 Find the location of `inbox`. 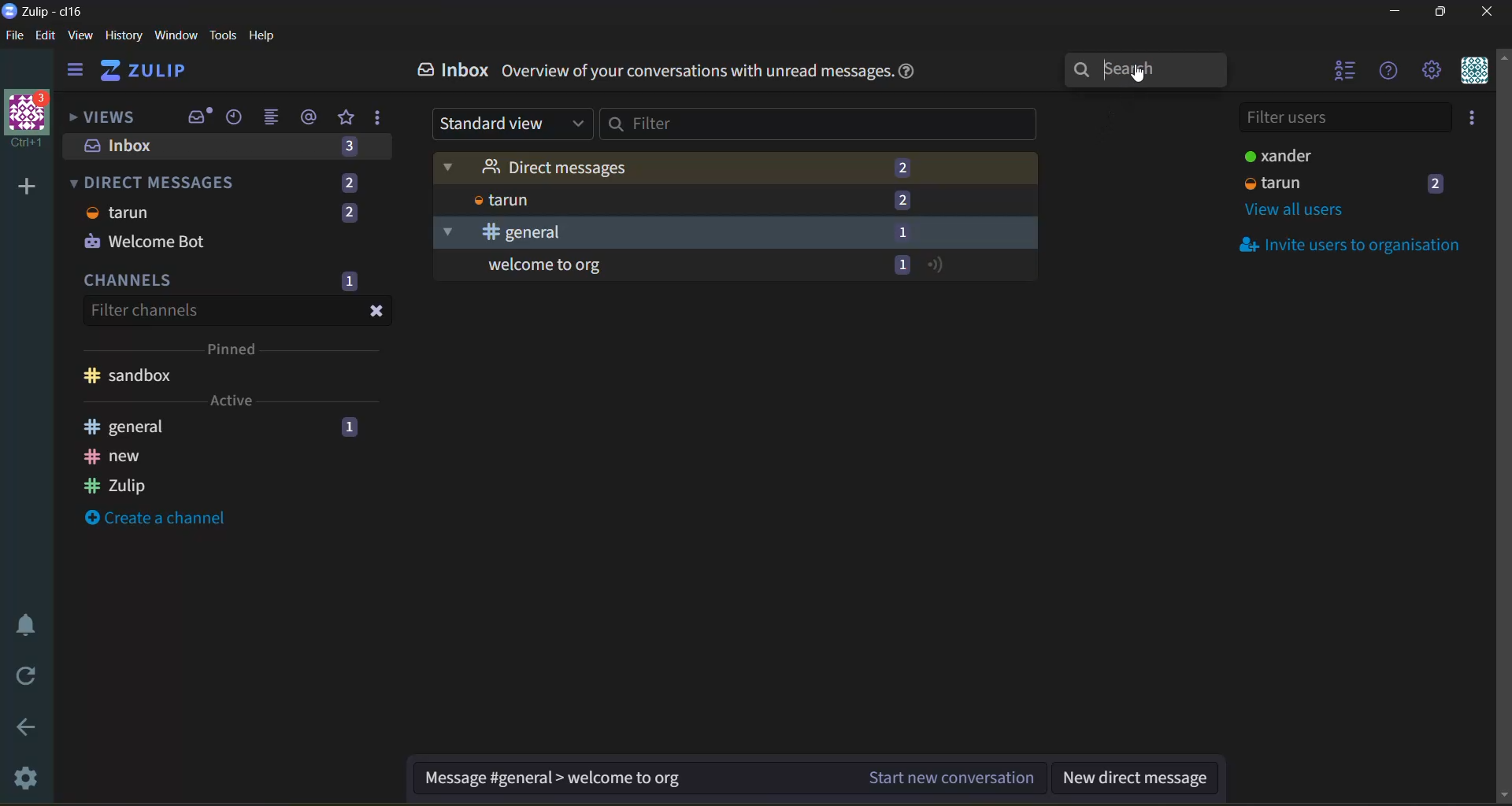

inbox is located at coordinates (454, 70).